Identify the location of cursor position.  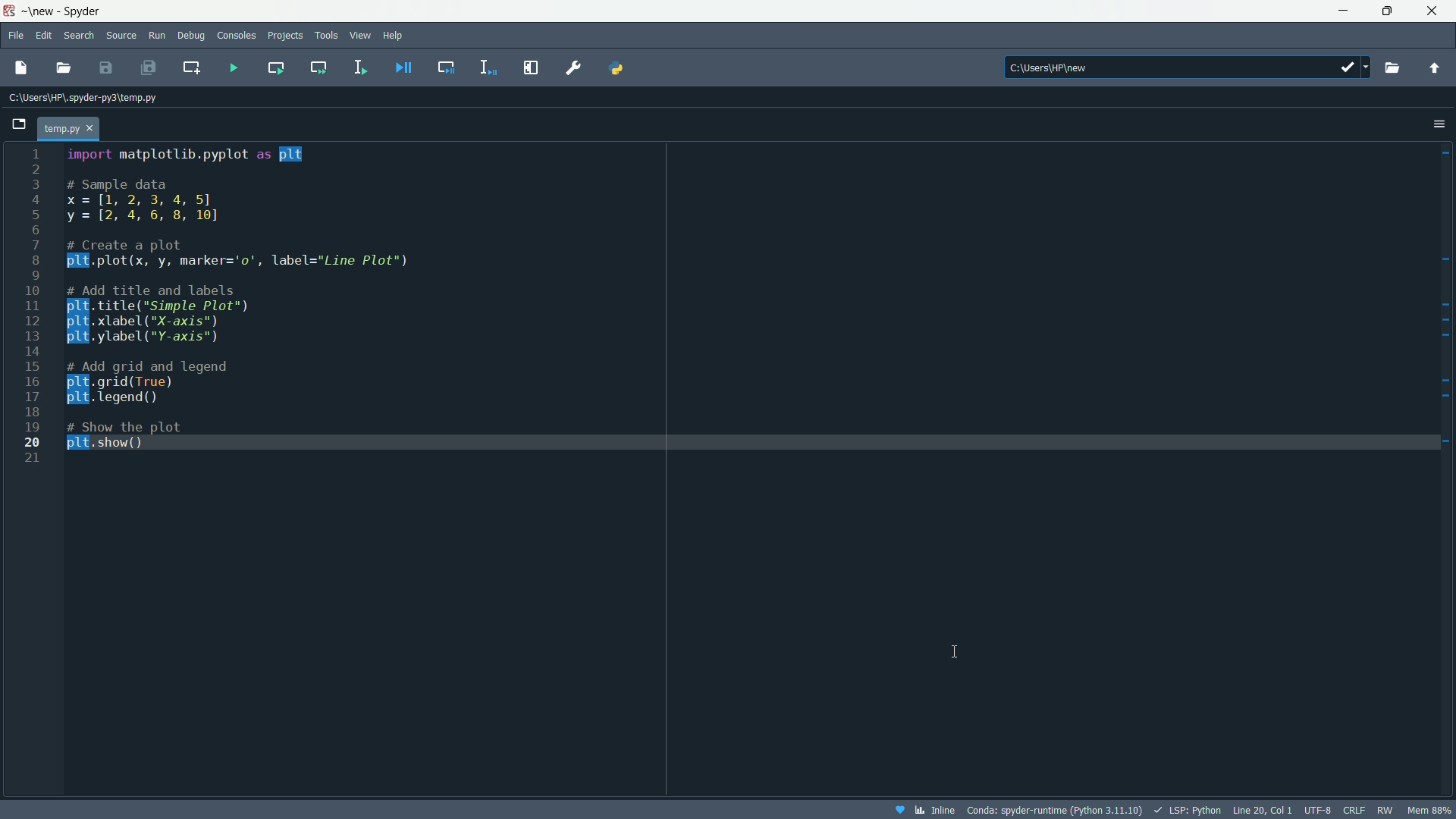
(1263, 809).